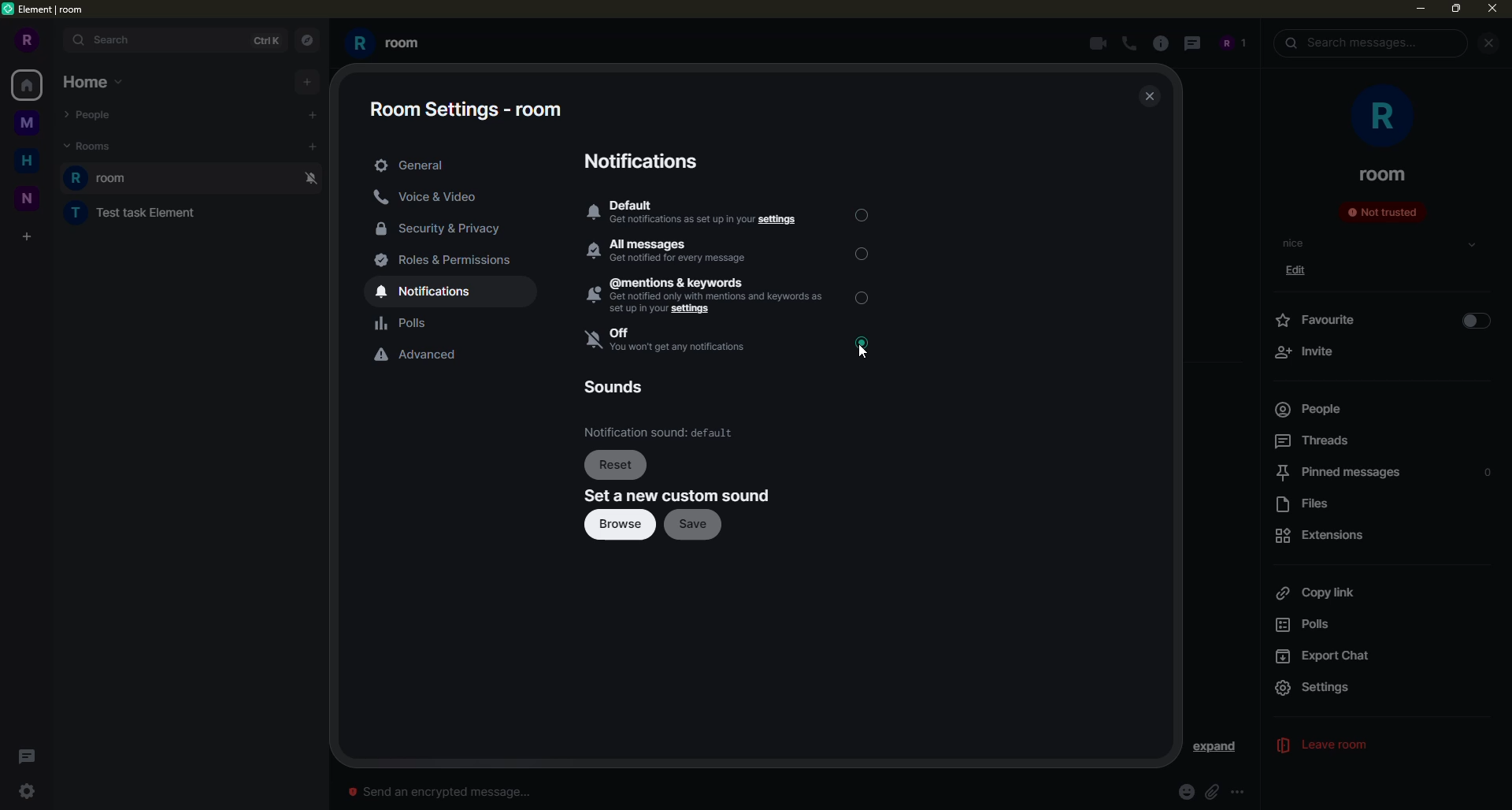 The width and height of the screenshot is (1512, 810). Describe the element at coordinates (27, 86) in the screenshot. I see `All rooms` at that location.